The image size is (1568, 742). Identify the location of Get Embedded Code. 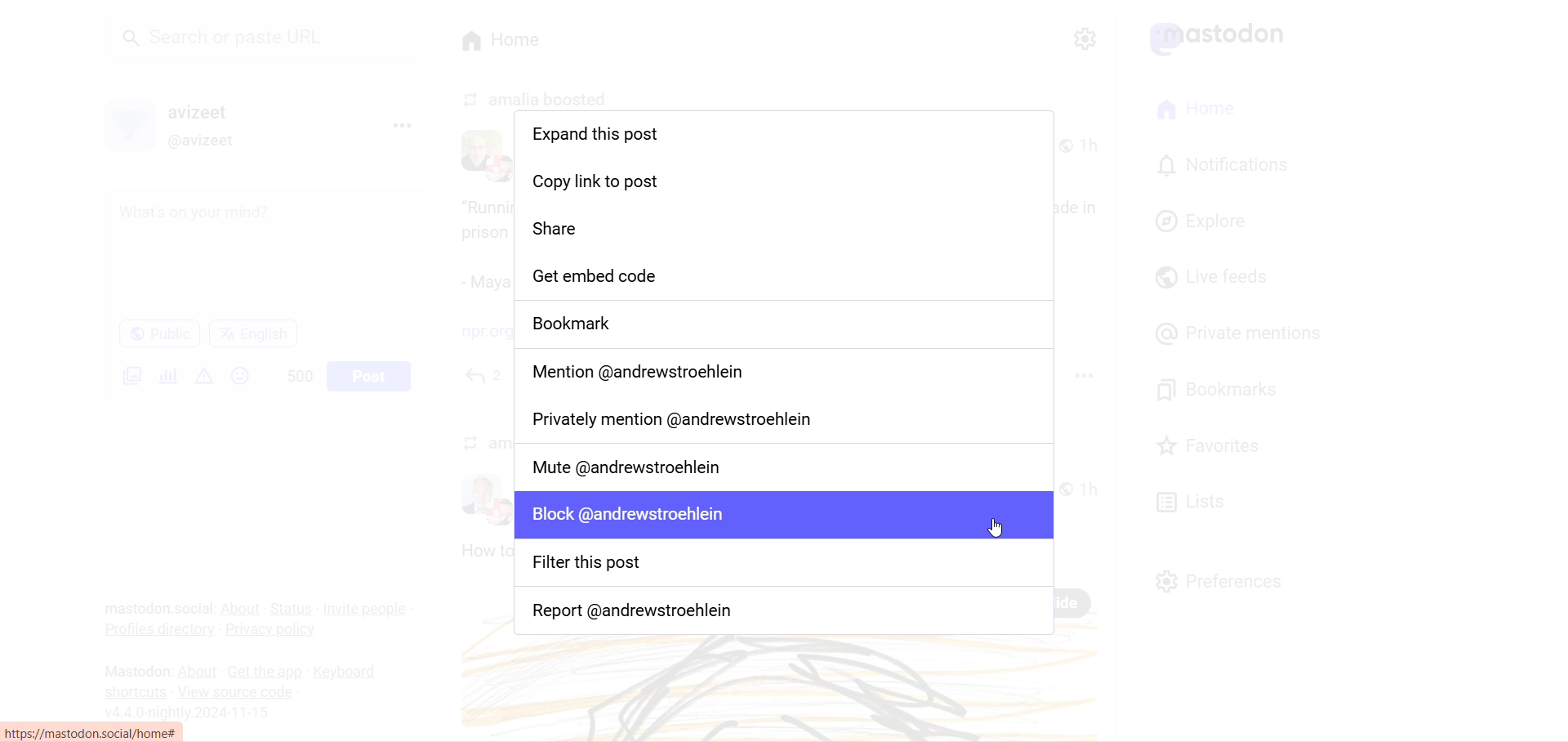
(786, 275).